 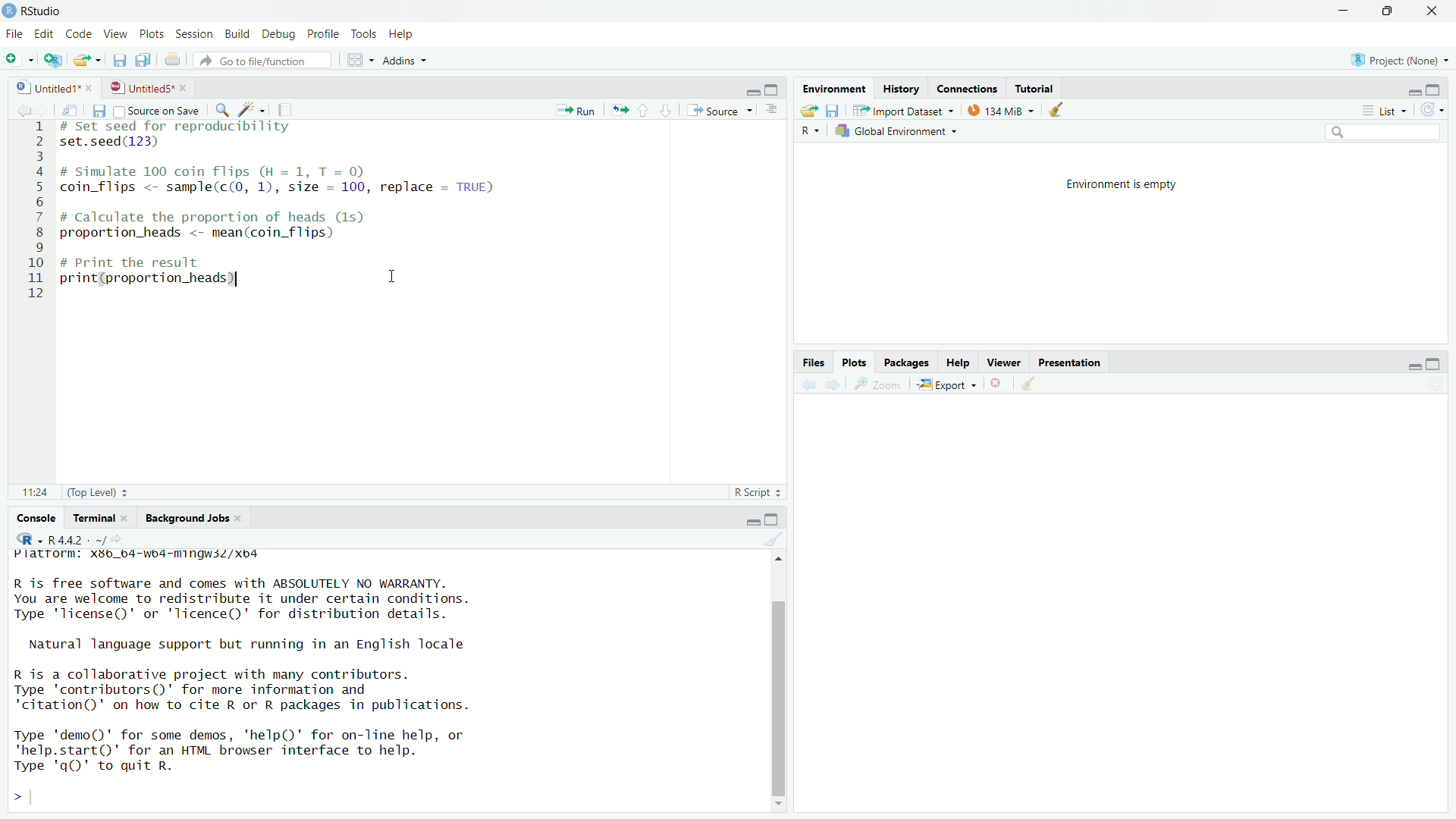 What do you see at coordinates (80, 540) in the screenshot?
I see `R 4.4.2 . ~/` at bounding box center [80, 540].